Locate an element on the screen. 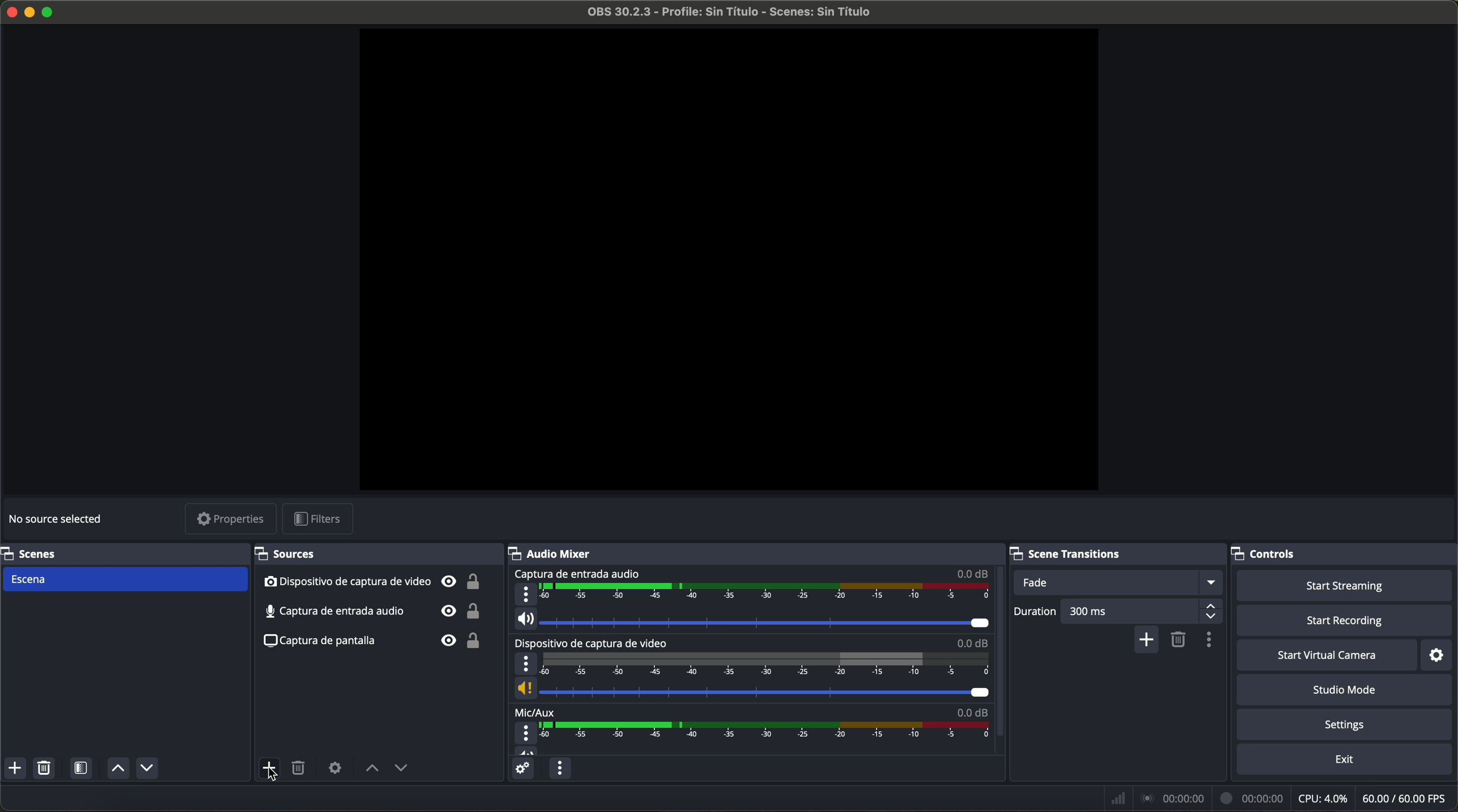  settings is located at coordinates (1442, 654).